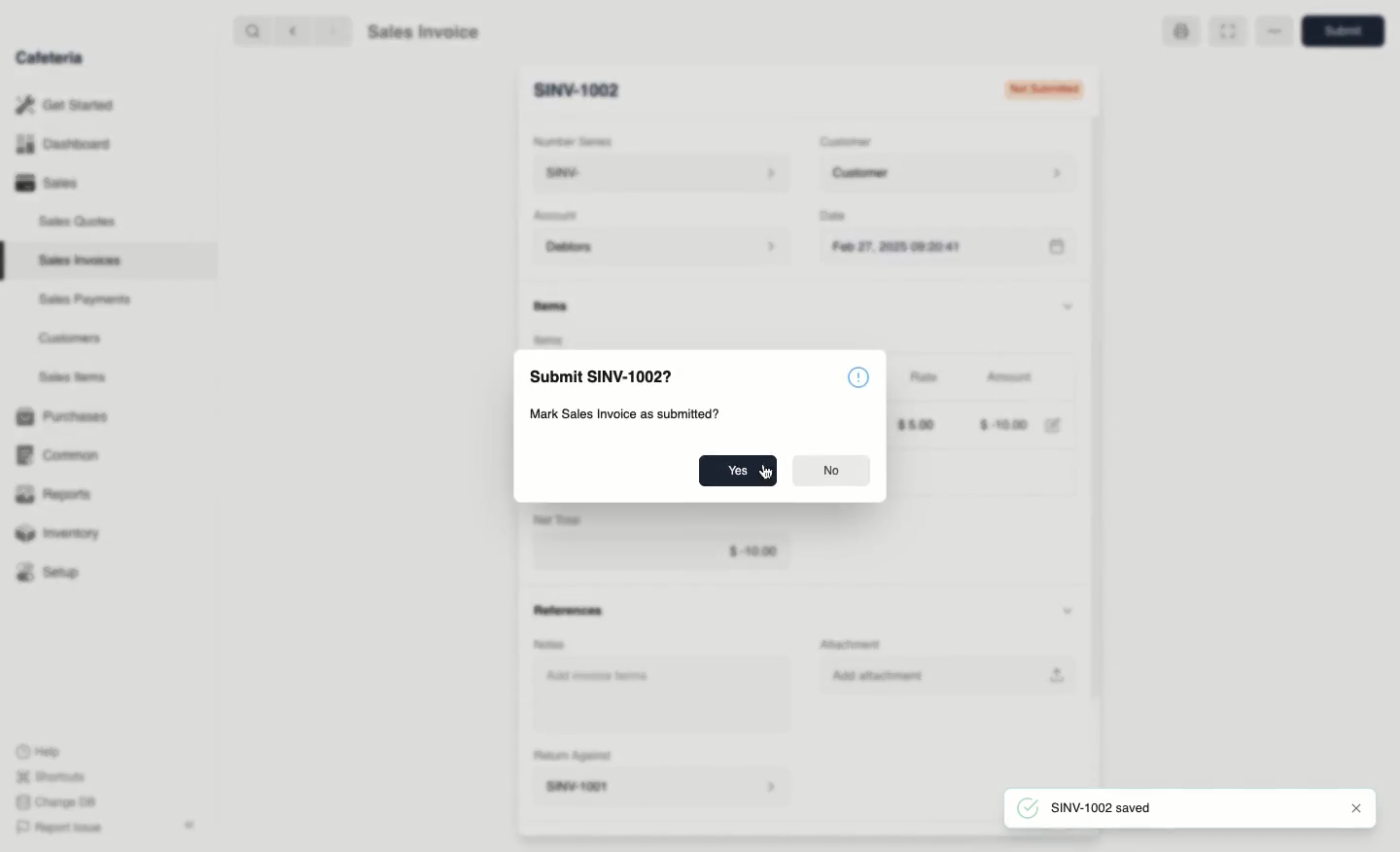 The width and height of the screenshot is (1400, 852). What do you see at coordinates (1356, 808) in the screenshot?
I see `close` at bounding box center [1356, 808].